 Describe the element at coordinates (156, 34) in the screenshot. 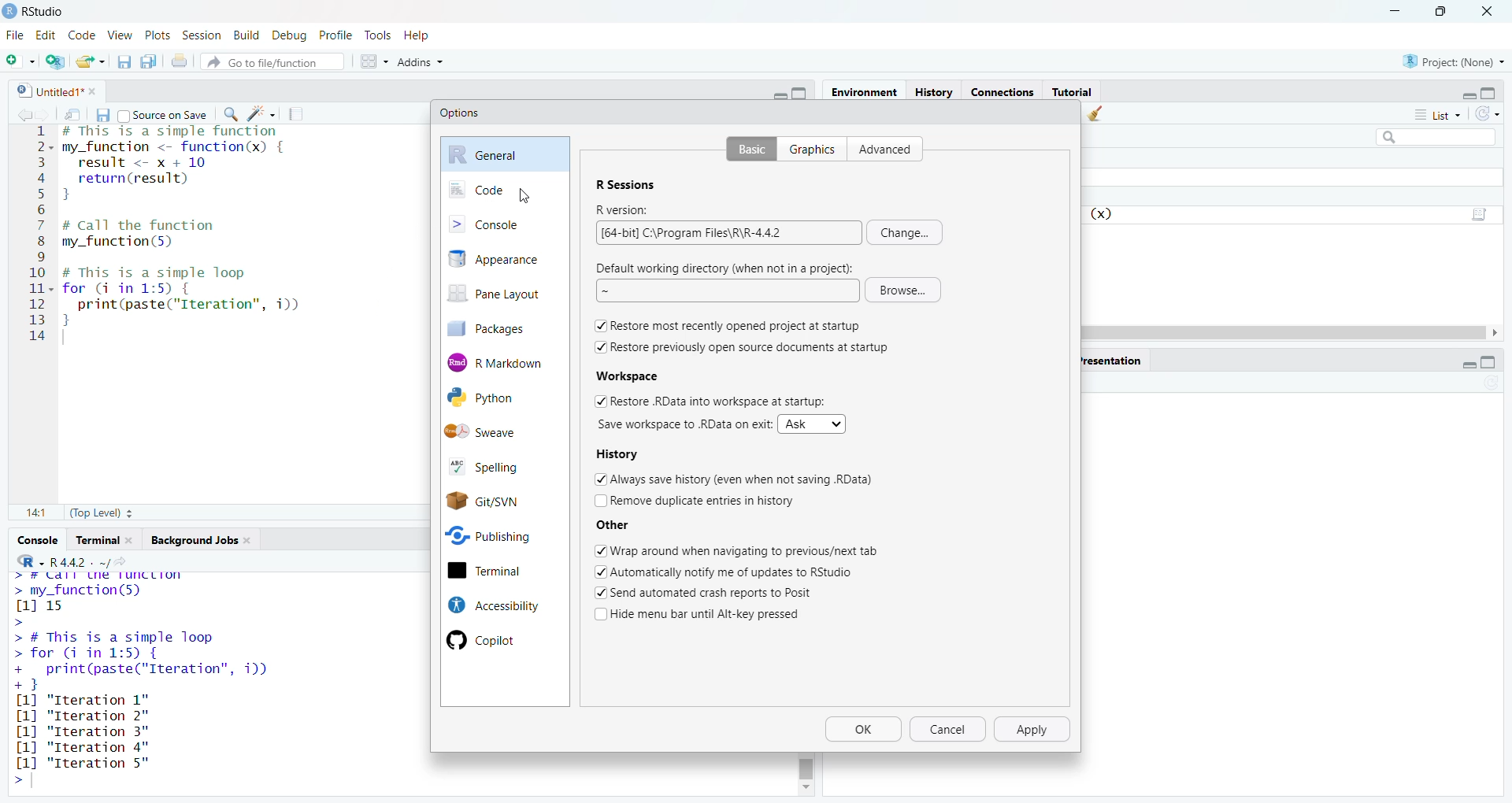

I see `plots` at that location.